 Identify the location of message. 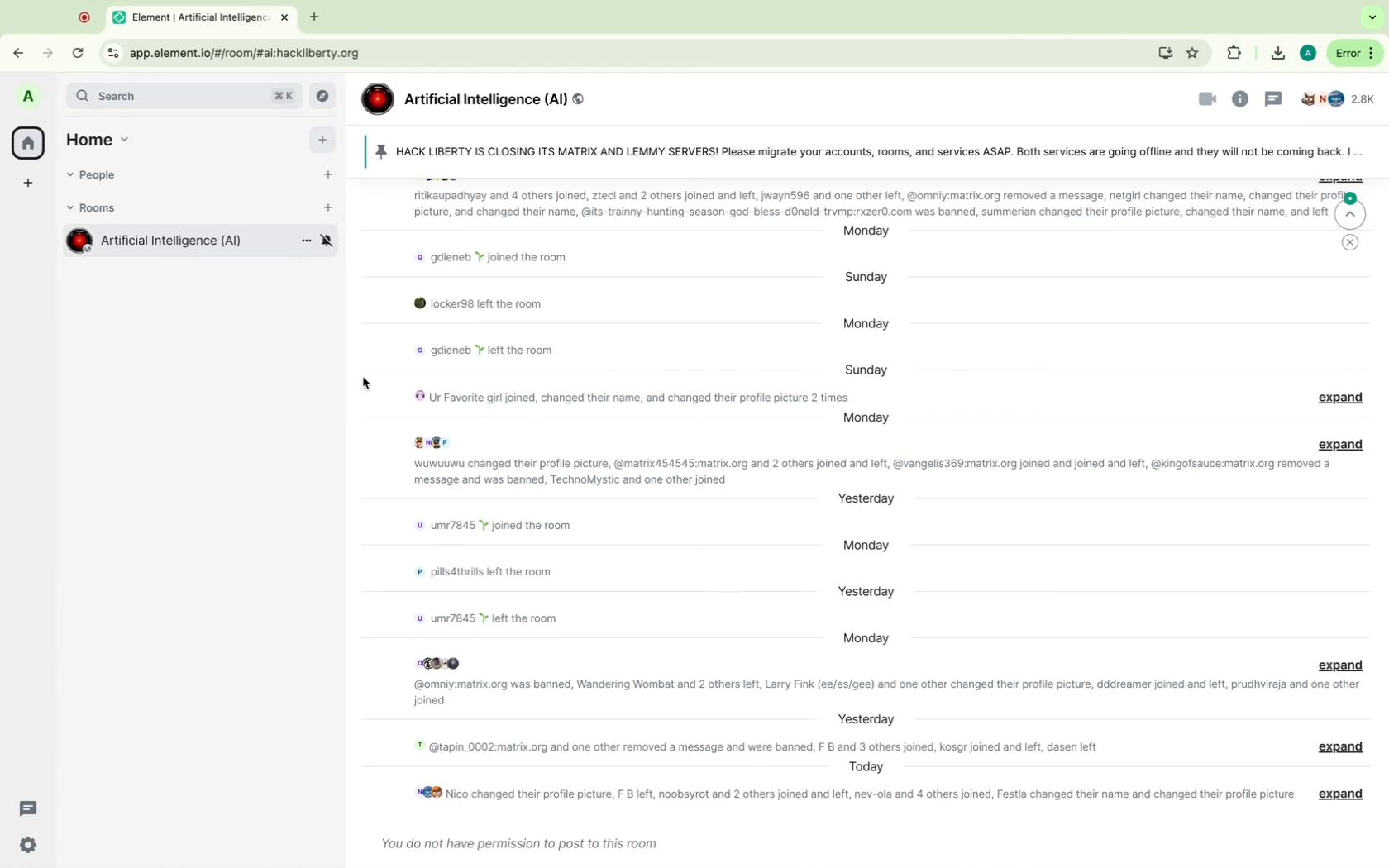
(1334, 663).